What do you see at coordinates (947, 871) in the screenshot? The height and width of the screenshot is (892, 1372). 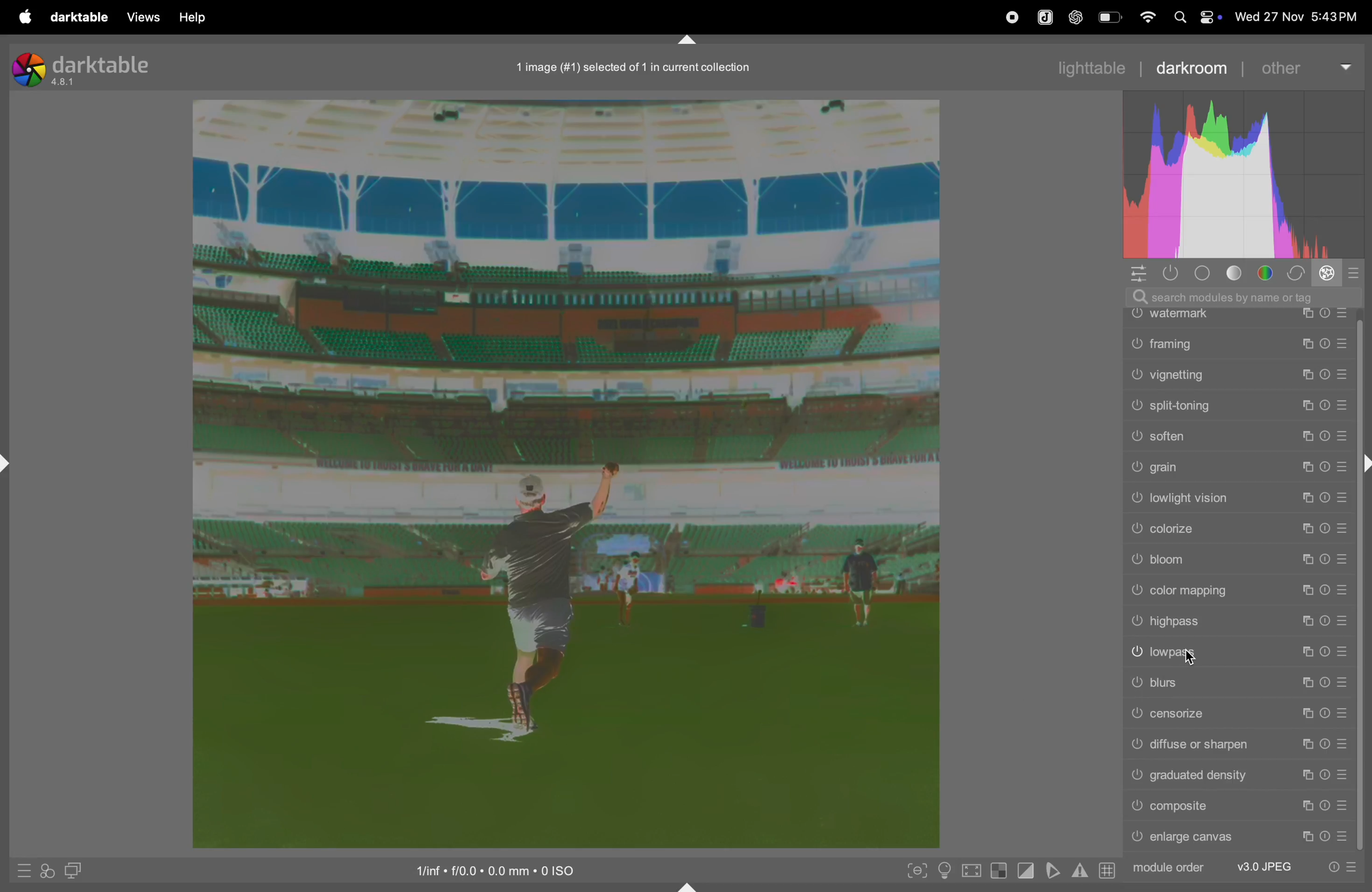 I see `toggle iso` at bounding box center [947, 871].